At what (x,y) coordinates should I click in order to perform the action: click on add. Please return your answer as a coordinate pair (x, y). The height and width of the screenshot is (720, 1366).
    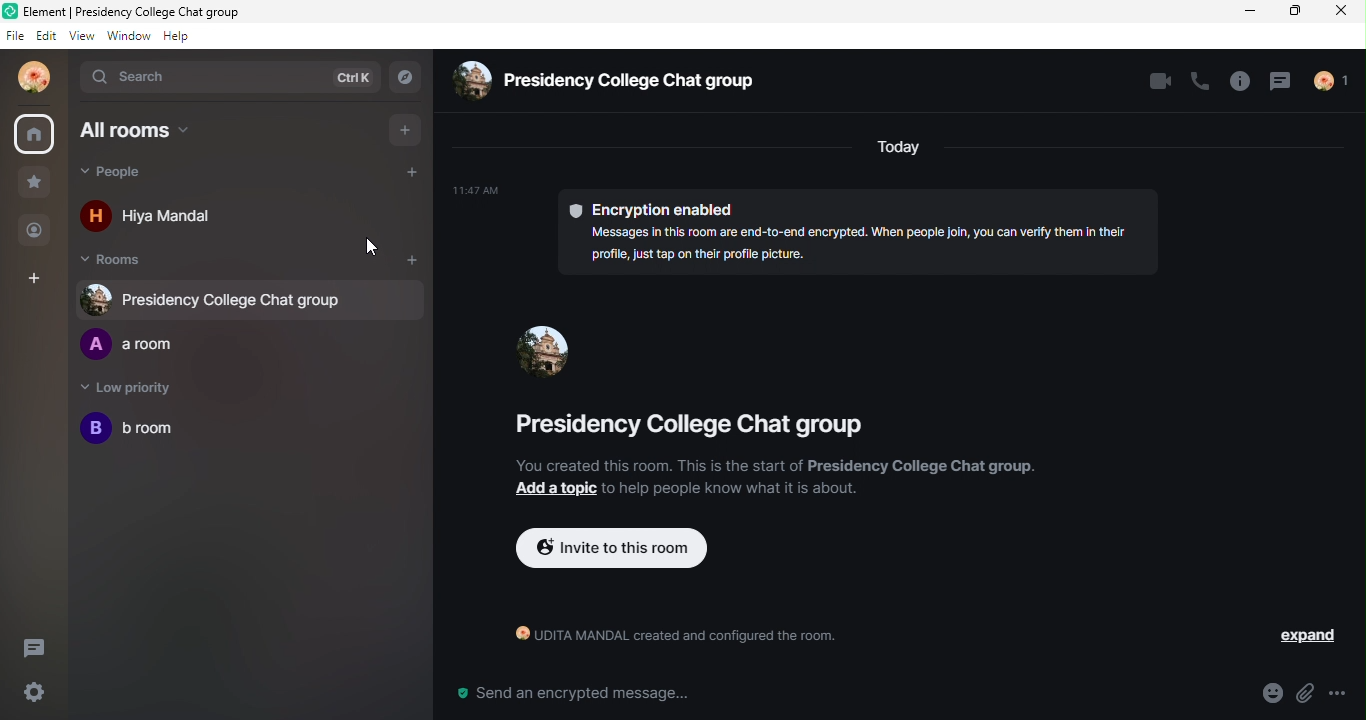
    Looking at the image, I should click on (409, 129).